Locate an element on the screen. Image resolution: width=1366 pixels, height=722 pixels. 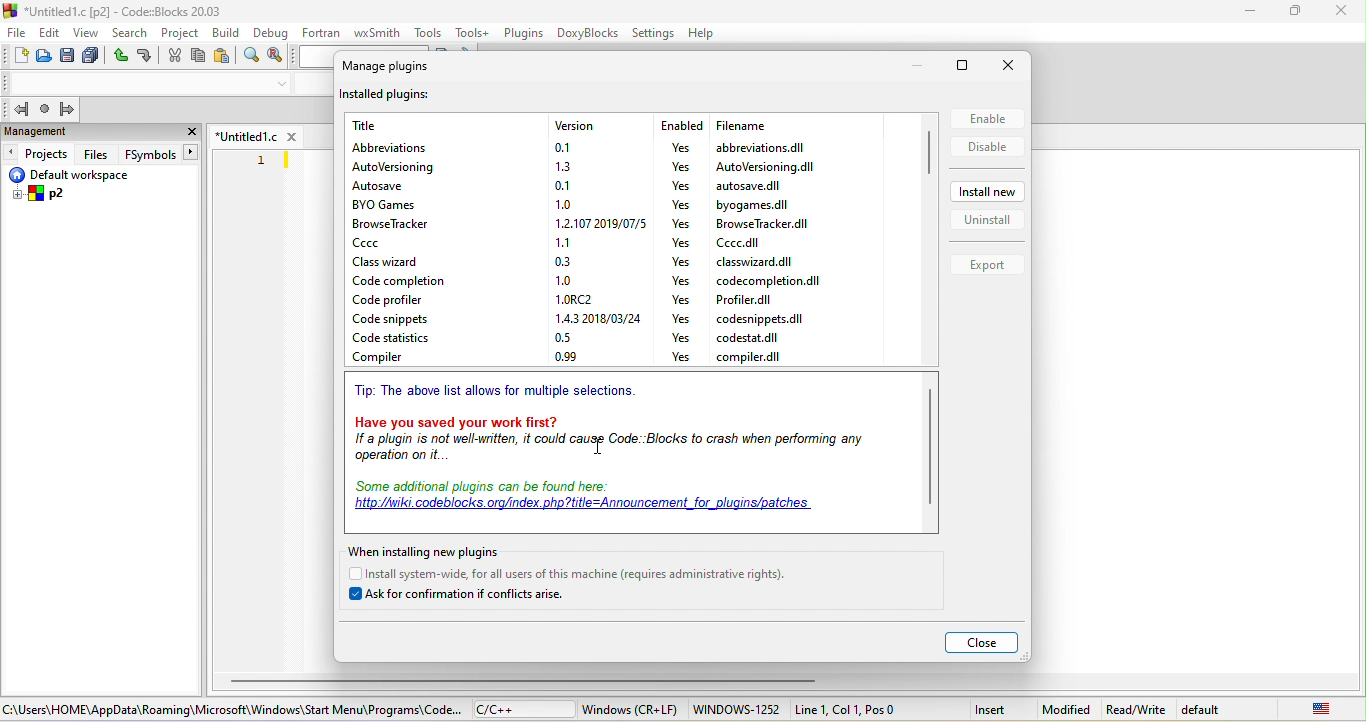
1.0 is located at coordinates (563, 203).